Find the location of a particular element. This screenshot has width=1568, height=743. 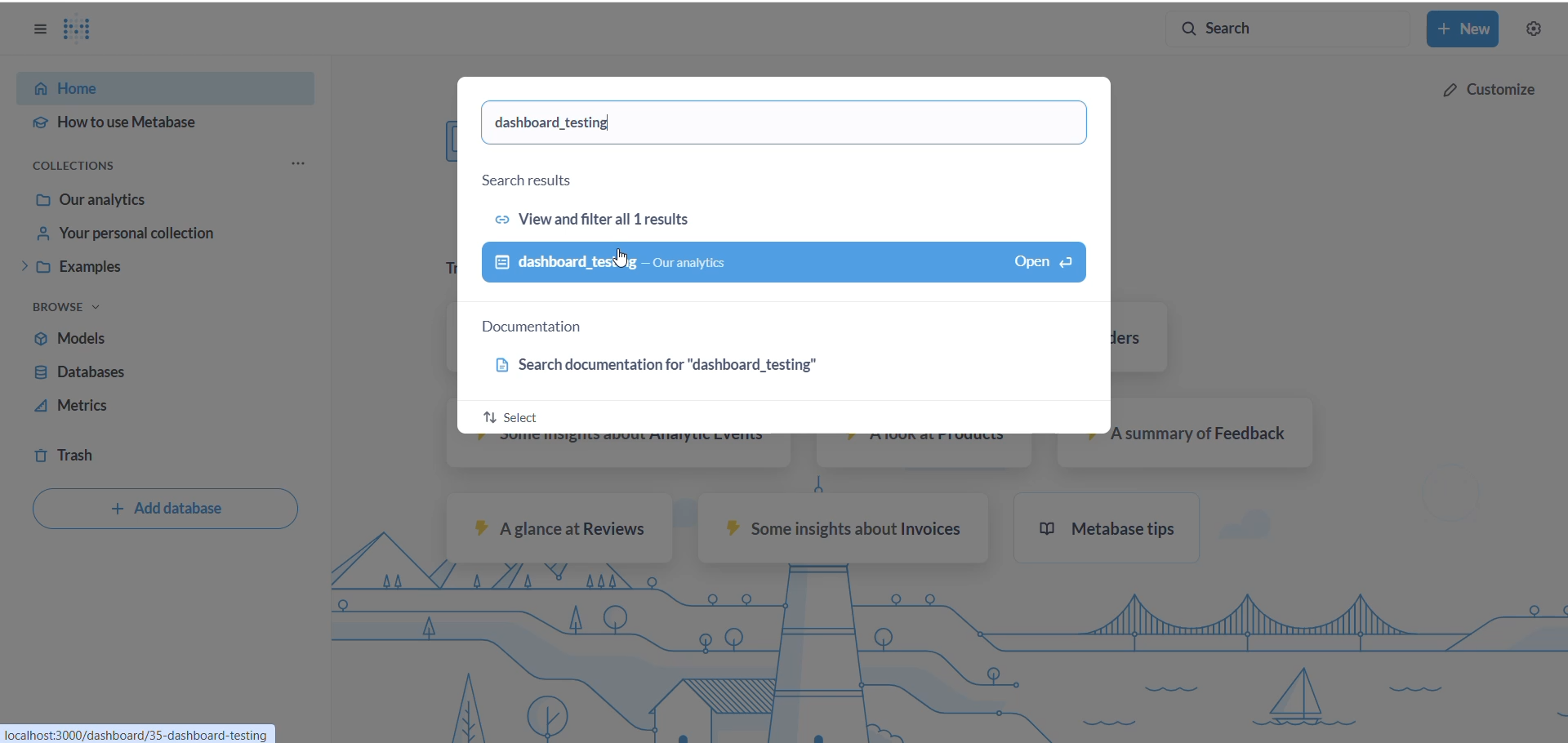

show/hide side bar is located at coordinates (38, 33).